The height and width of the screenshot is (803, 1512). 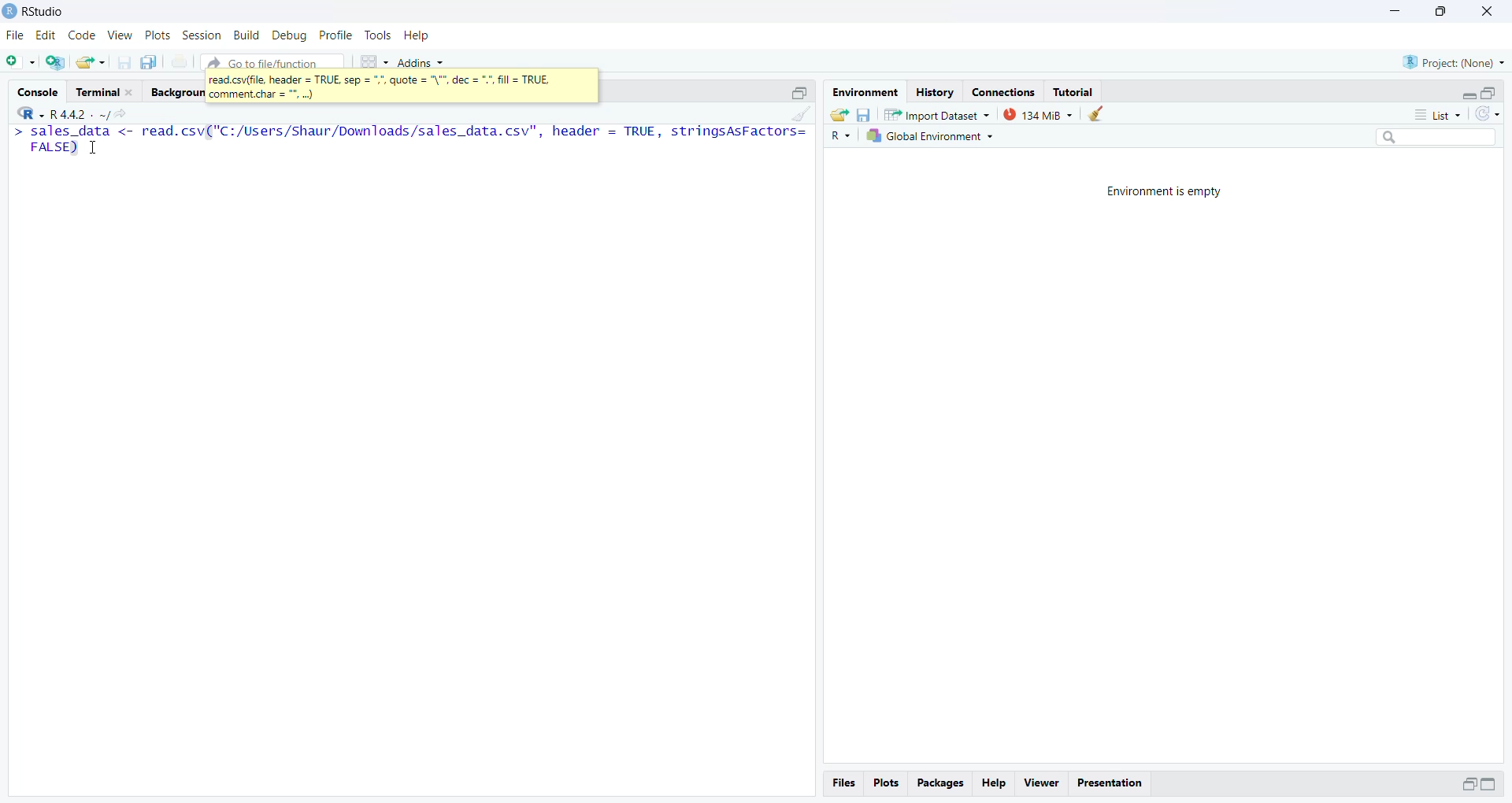 What do you see at coordinates (407, 142) in the screenshot?
I see `> sales_data <- read.csv("C:/Users/Shaur/Downloads/sales_data.csv", header = TRUE, stringsAsFactors=
FALSE) T` at bounding box center [407, 142].